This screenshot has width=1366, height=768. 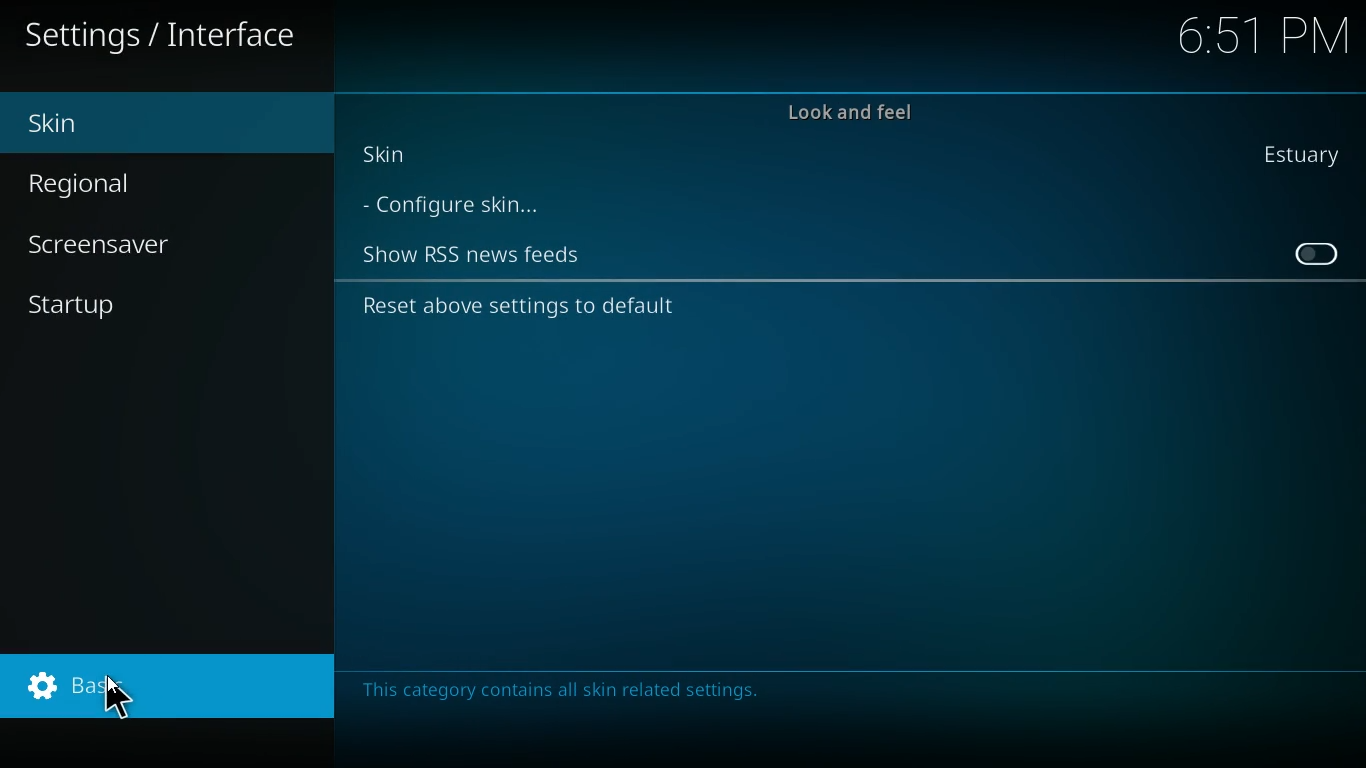 What do you see at coordinates (143, 185) in the screenshot?
I see `regional` at bounding box center [143, 185].